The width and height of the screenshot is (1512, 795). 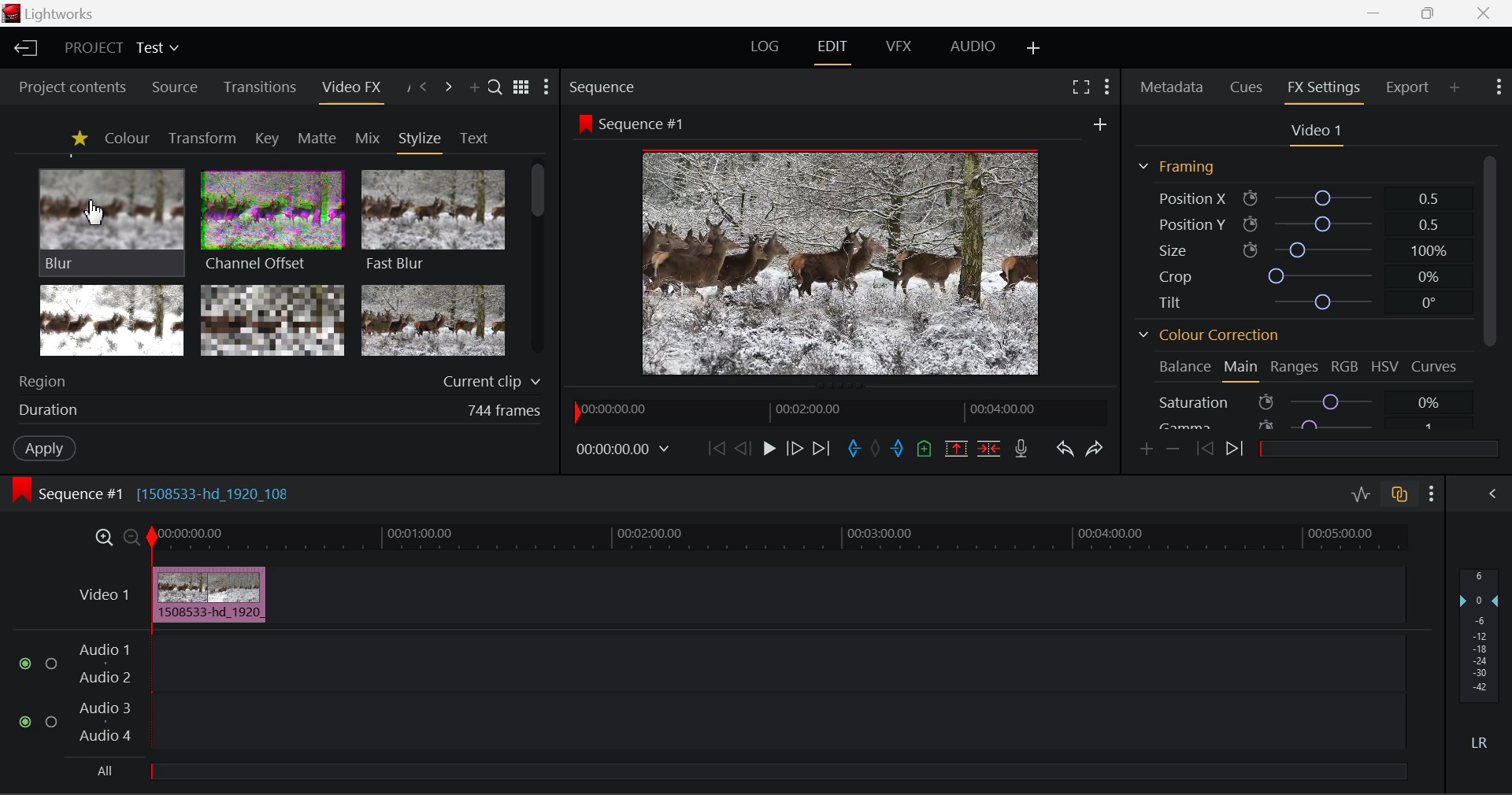 What do you see at coordinates (1299, 224) in the screenshot?
I see `Position Y` at bounding box center [1299, 224].